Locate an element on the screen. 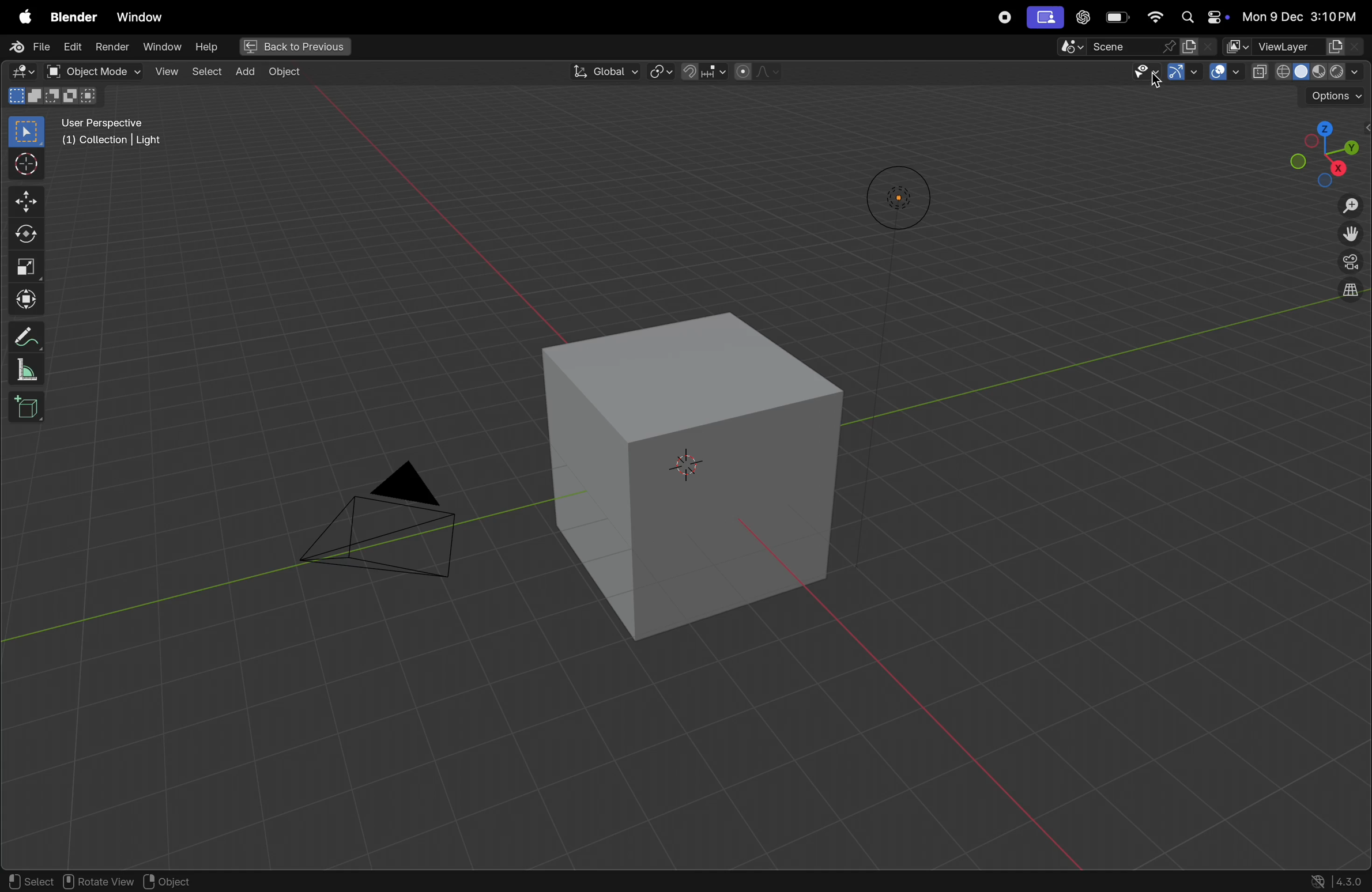 The image size is (1372, 892). camera is located at coordinates (381, 527).